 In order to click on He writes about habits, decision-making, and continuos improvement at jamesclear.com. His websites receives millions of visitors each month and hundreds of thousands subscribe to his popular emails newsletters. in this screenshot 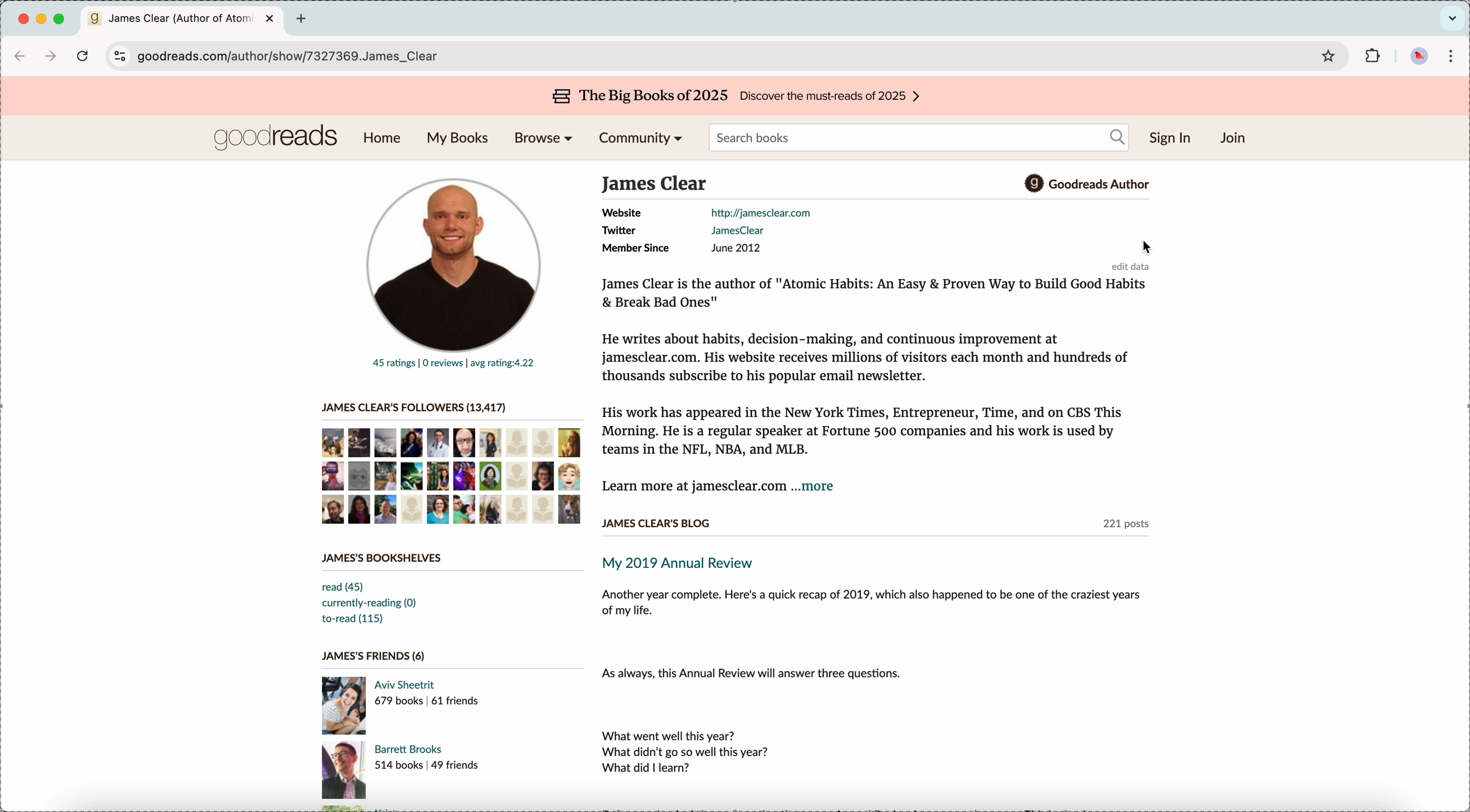, I will do `click(866, 357)`.